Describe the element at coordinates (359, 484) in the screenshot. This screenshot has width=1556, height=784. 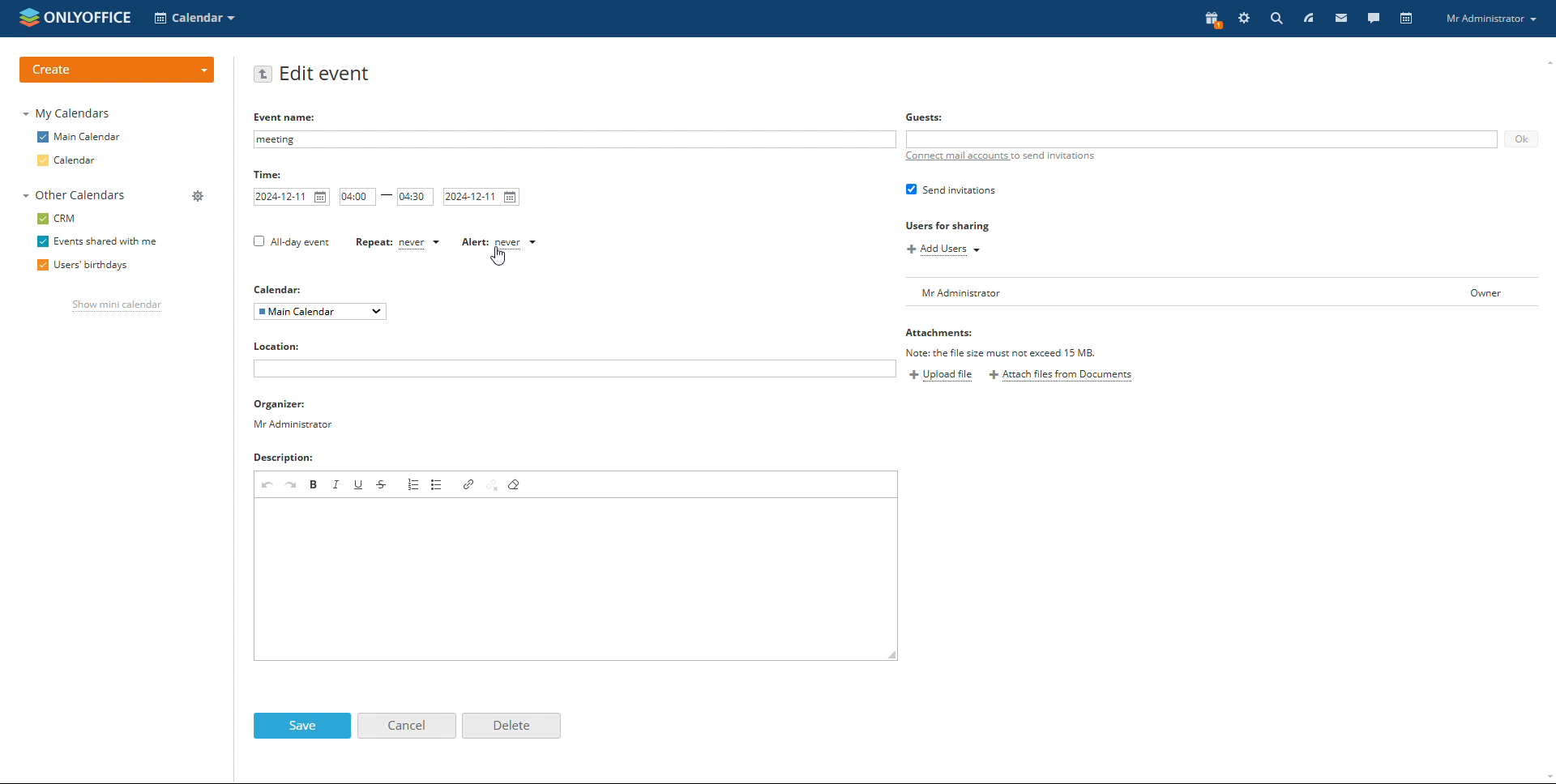
I see `underline` at that location.